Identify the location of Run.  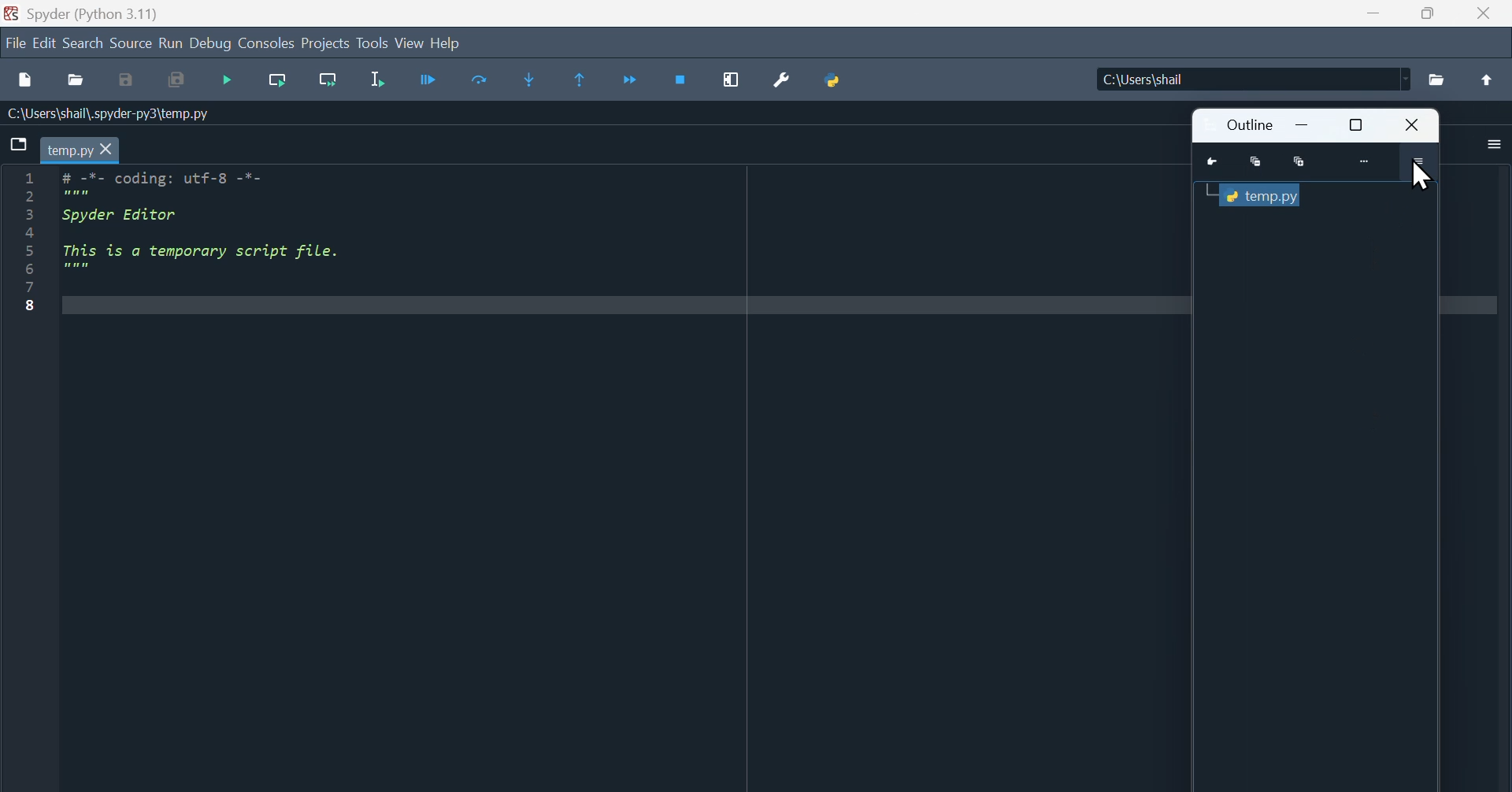
(171, 42).